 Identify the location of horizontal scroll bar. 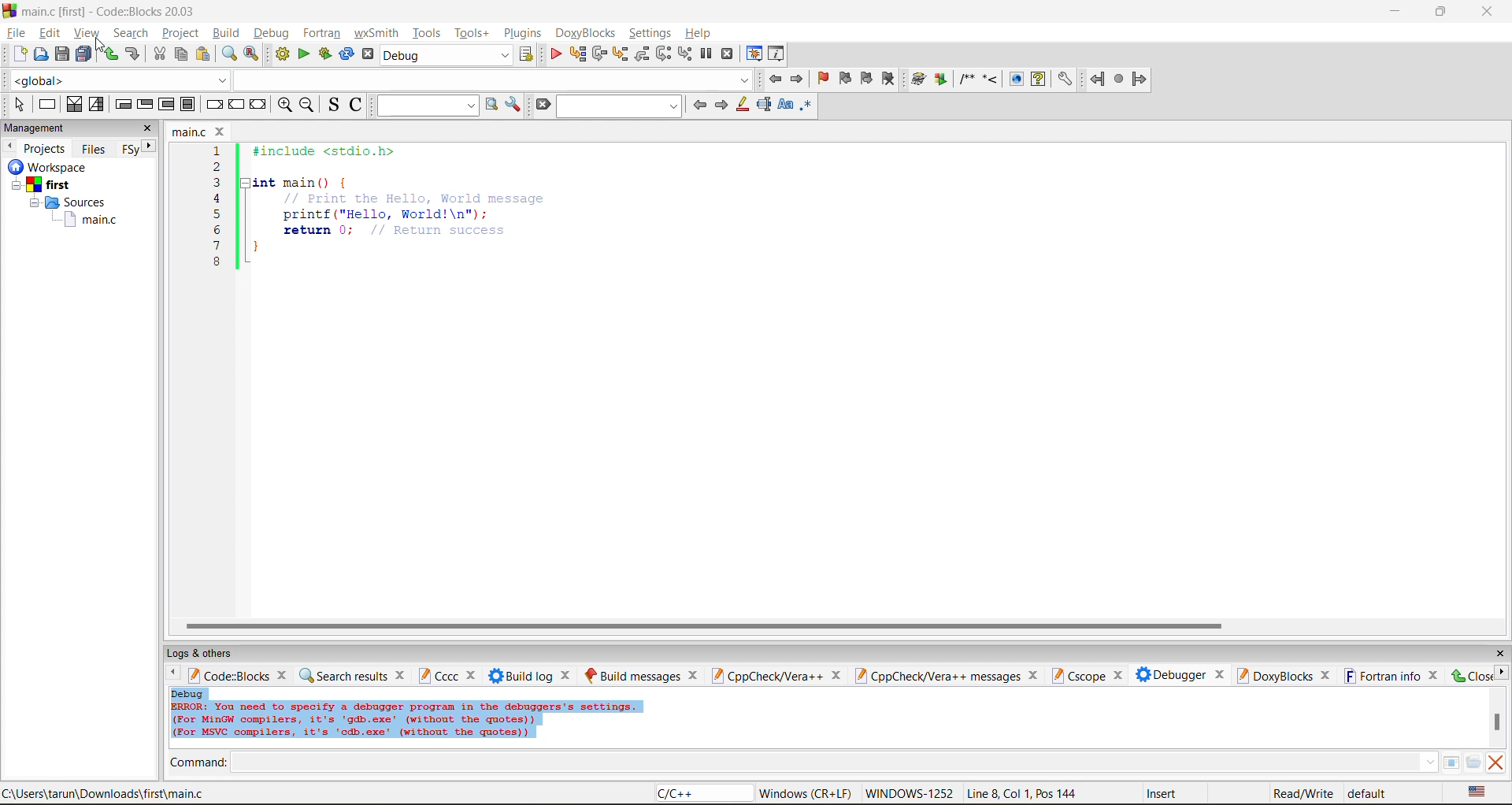
(703, 624).